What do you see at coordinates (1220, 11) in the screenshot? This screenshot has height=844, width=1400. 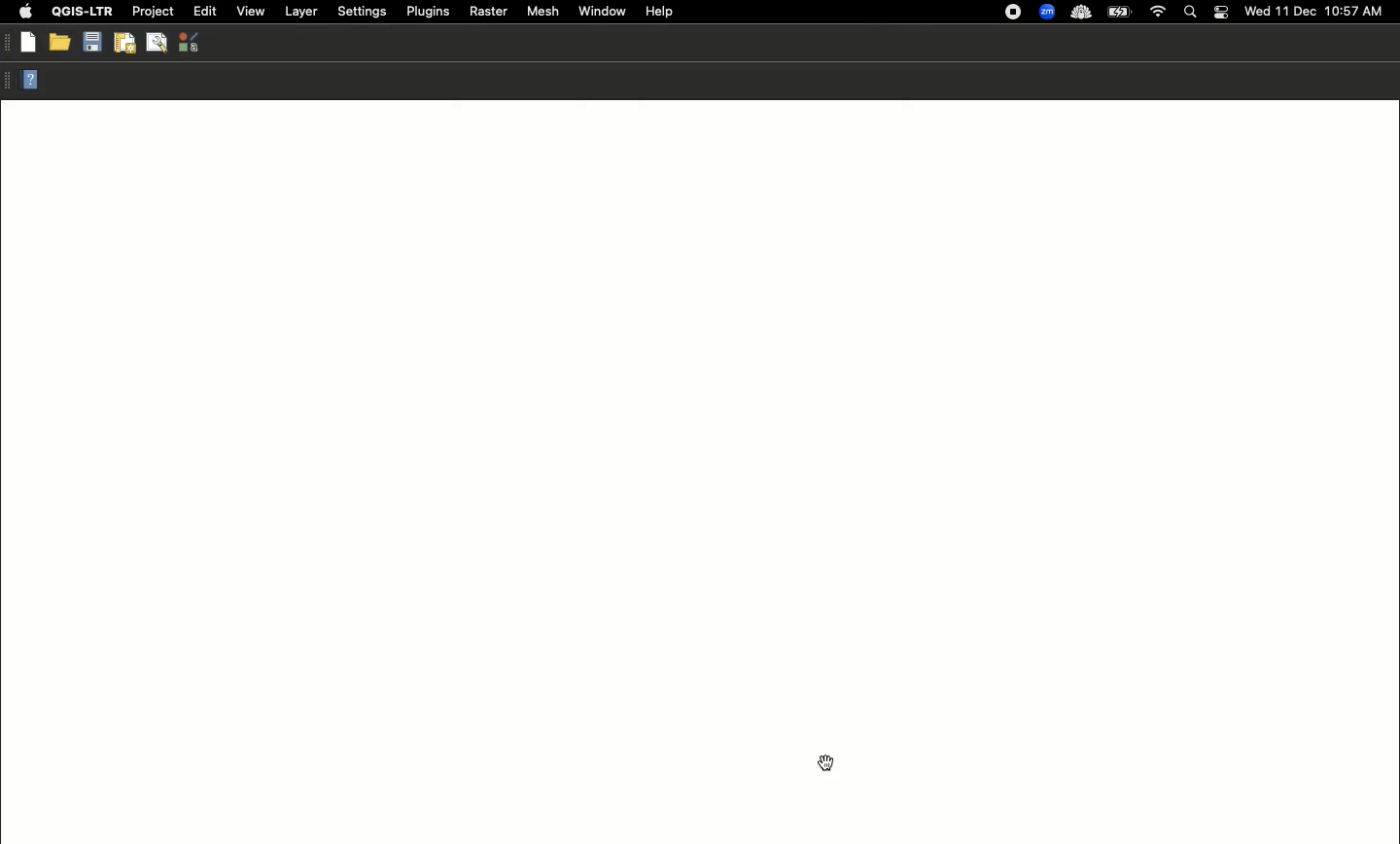 I see `Notification` at bounding box center [1220, 11].